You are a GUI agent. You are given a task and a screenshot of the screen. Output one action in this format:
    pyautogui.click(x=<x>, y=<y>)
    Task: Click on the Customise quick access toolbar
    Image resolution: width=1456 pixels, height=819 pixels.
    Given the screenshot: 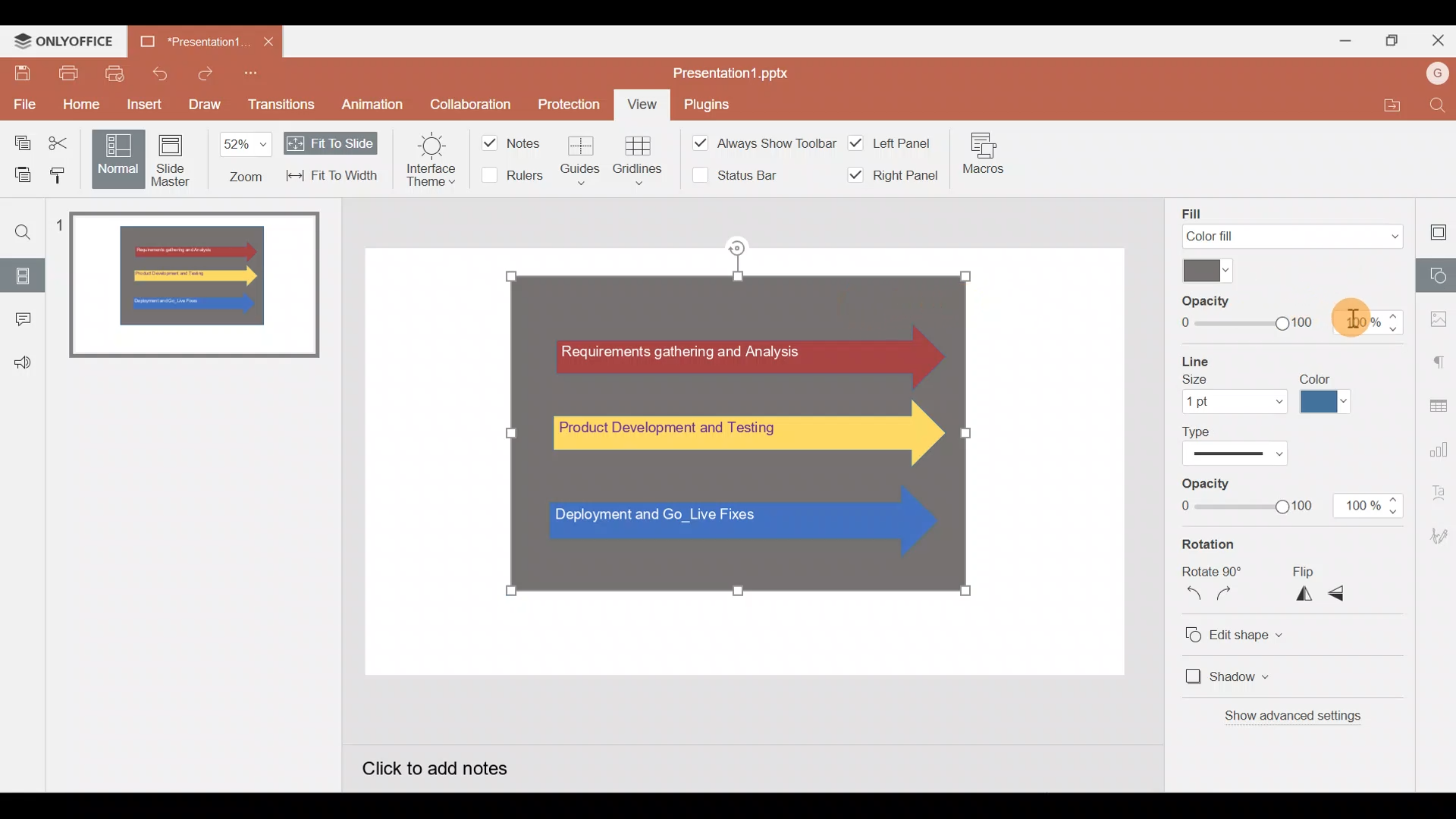 What is the action you would take?
    pyautogui.click(x=251, y=73)
    